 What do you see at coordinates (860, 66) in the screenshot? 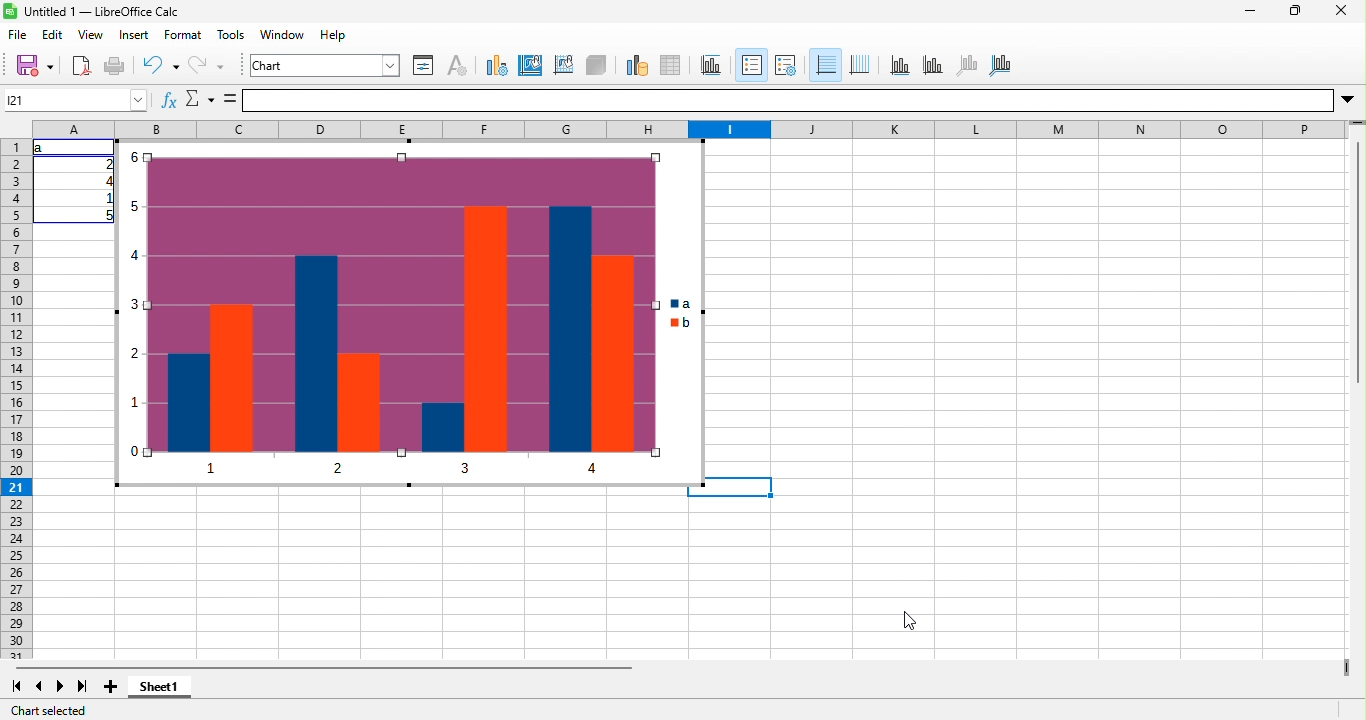
I see `vertical grids` at bounding box center [860, 66].